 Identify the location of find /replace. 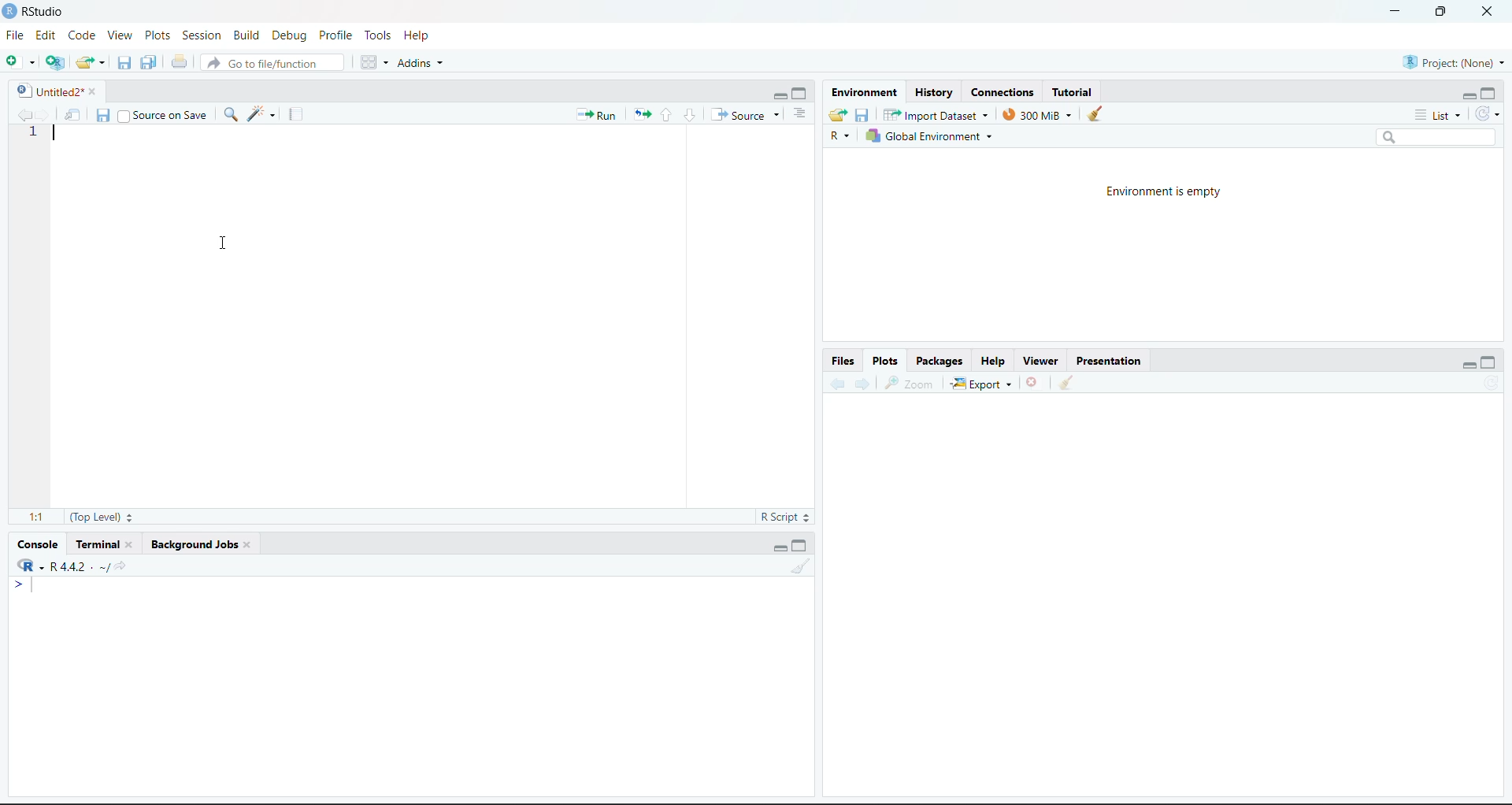
(229, 114).